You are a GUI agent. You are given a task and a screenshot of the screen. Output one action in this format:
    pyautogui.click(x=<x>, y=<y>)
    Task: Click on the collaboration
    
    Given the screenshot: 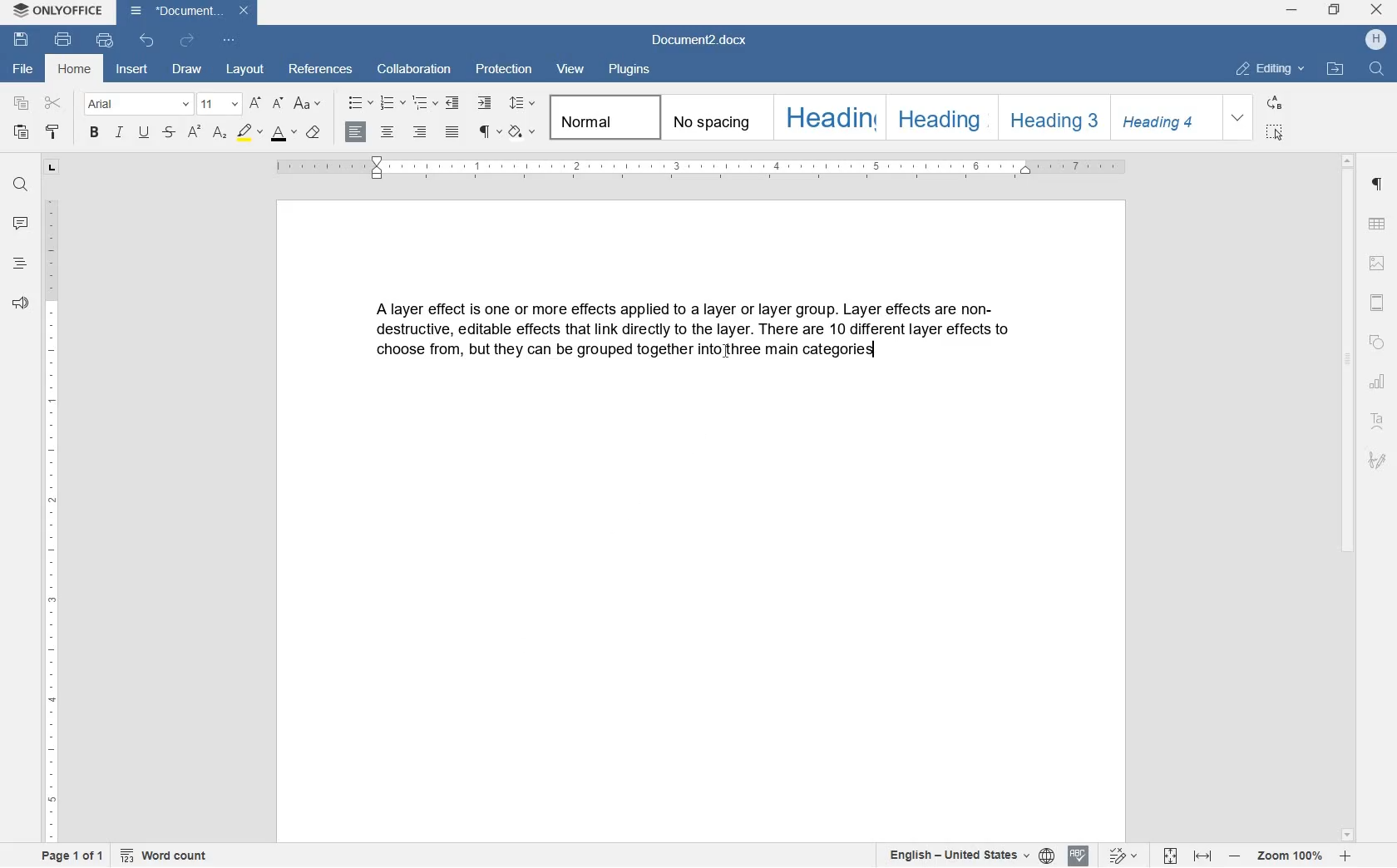 What is the action you would take?
    pyautogui.click(x=414, y=70)
    